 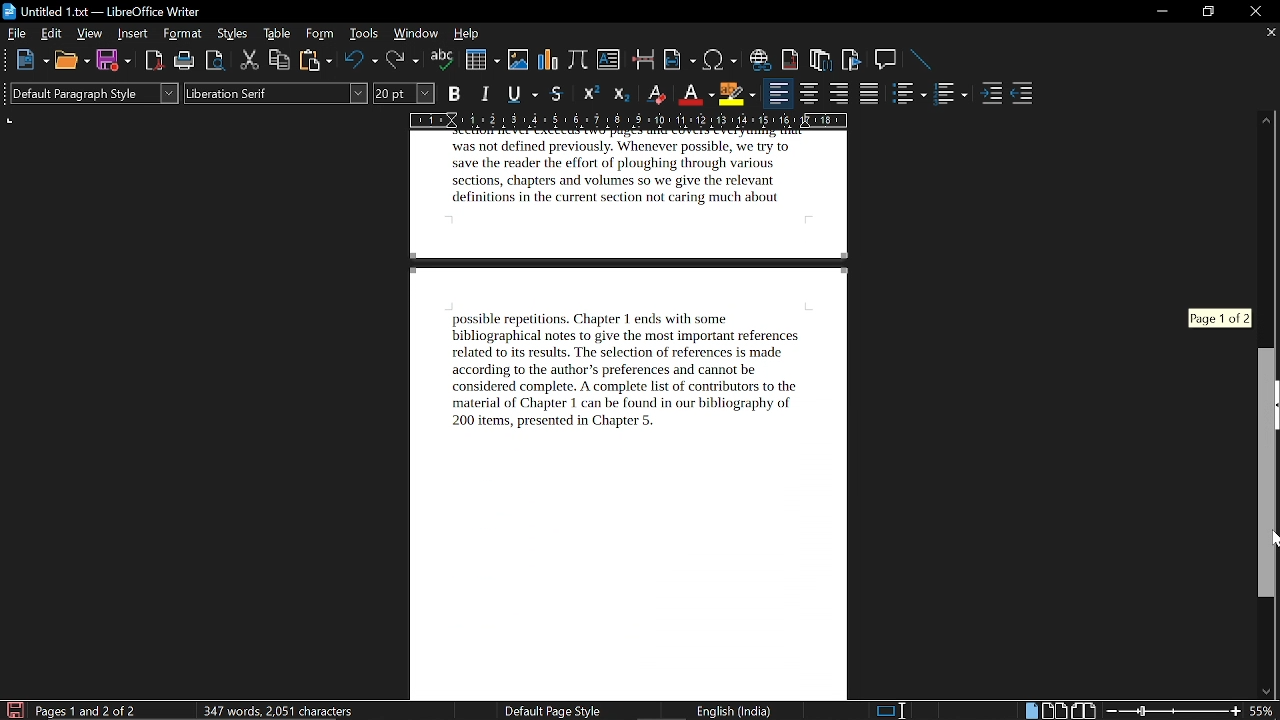 I want to click on current window, so click(x=102, y=11).